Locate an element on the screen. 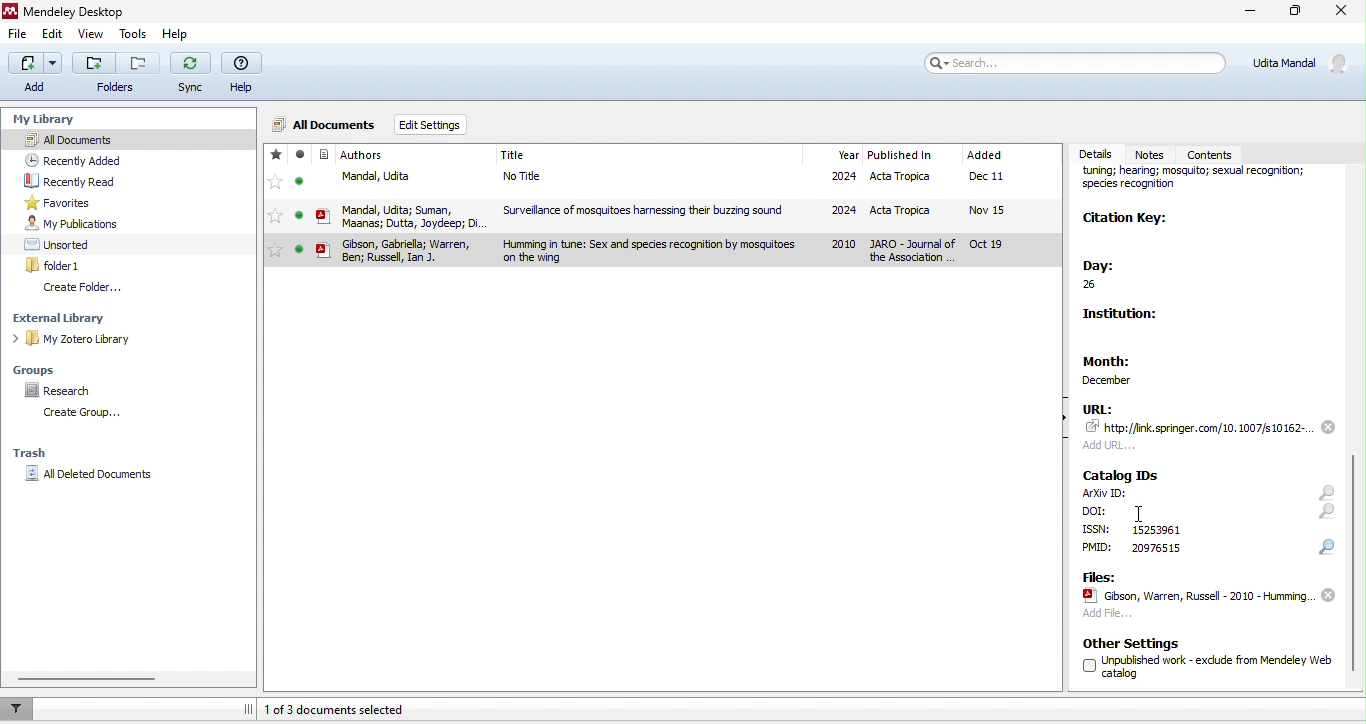 The height and width of the screenshot is (724, 1366). minimize is located at coordinates (1247, 13).